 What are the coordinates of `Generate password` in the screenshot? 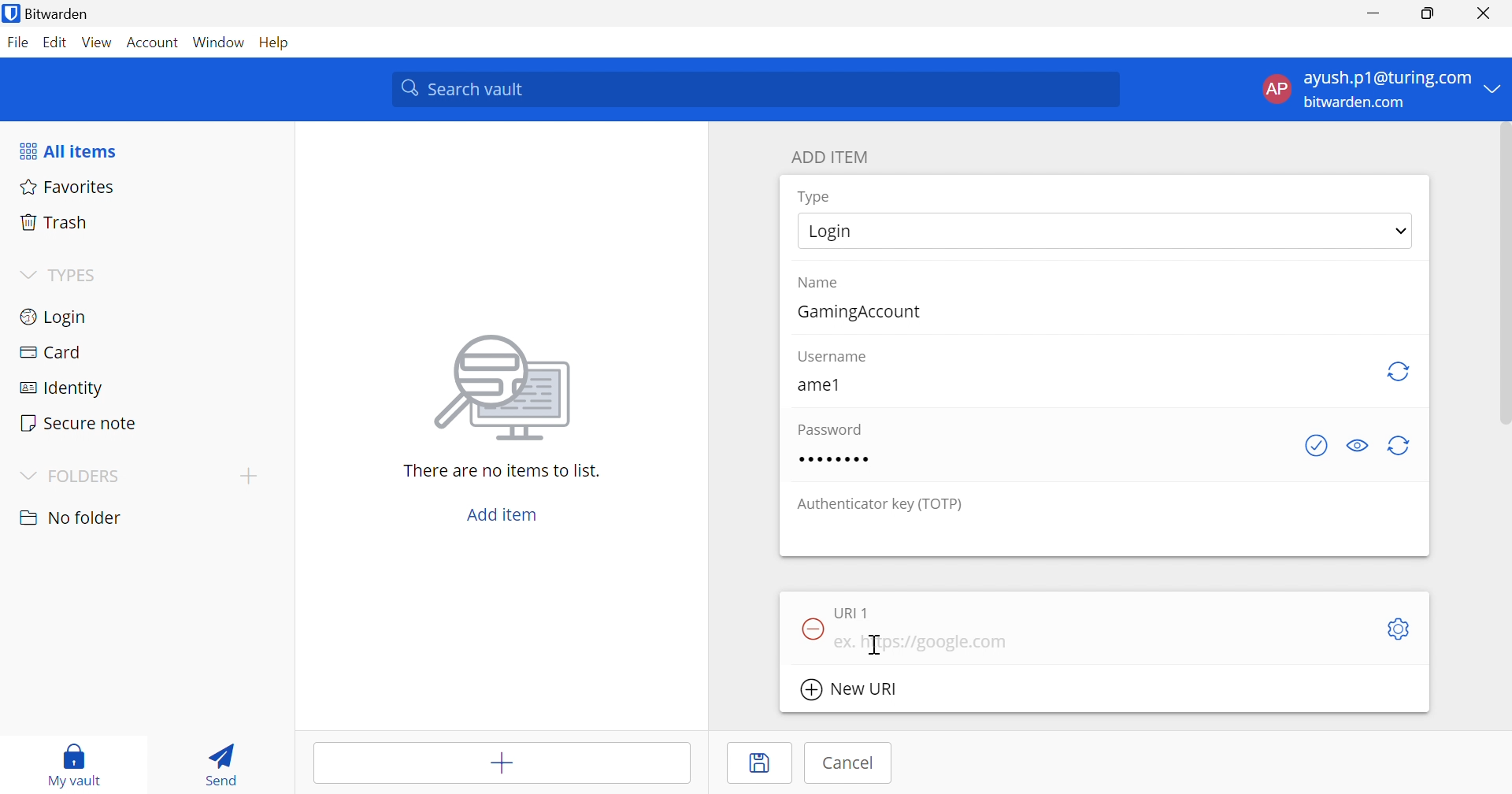 It's located at (1401, 445).